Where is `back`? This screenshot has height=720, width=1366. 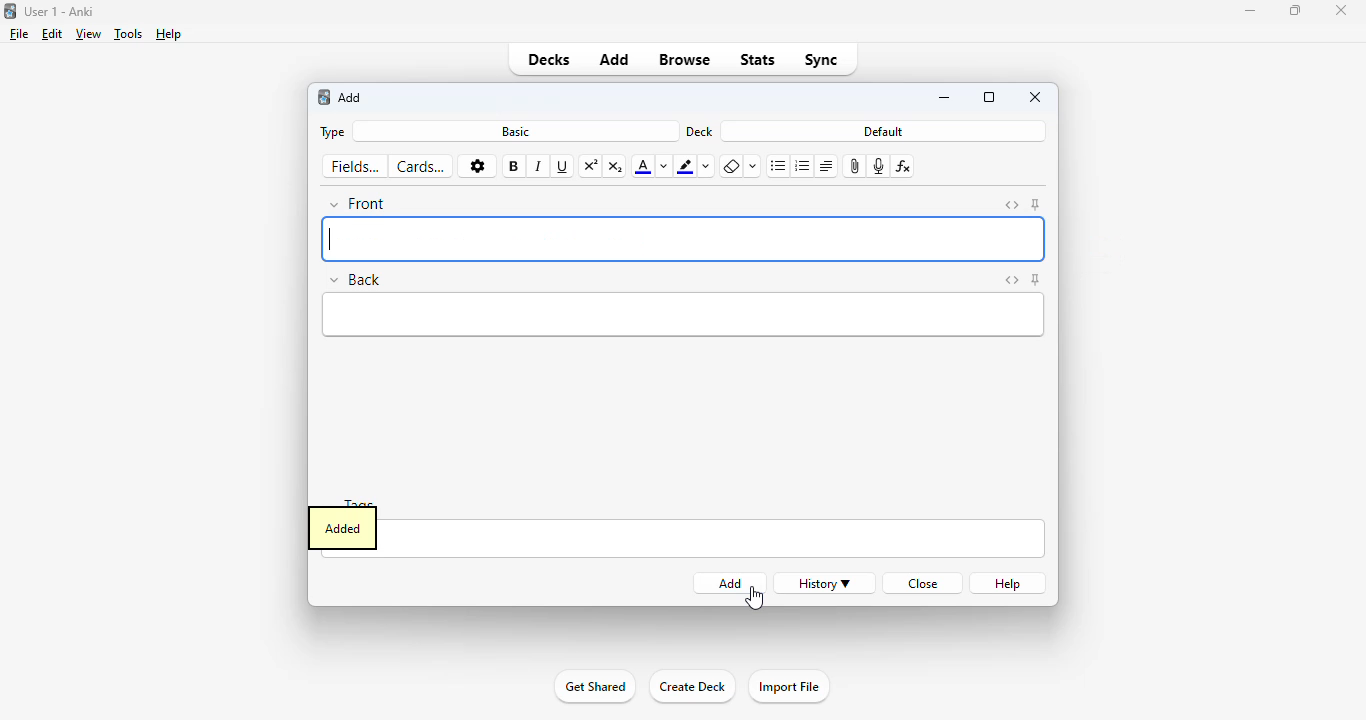
back is located at coordinates (356, 280).